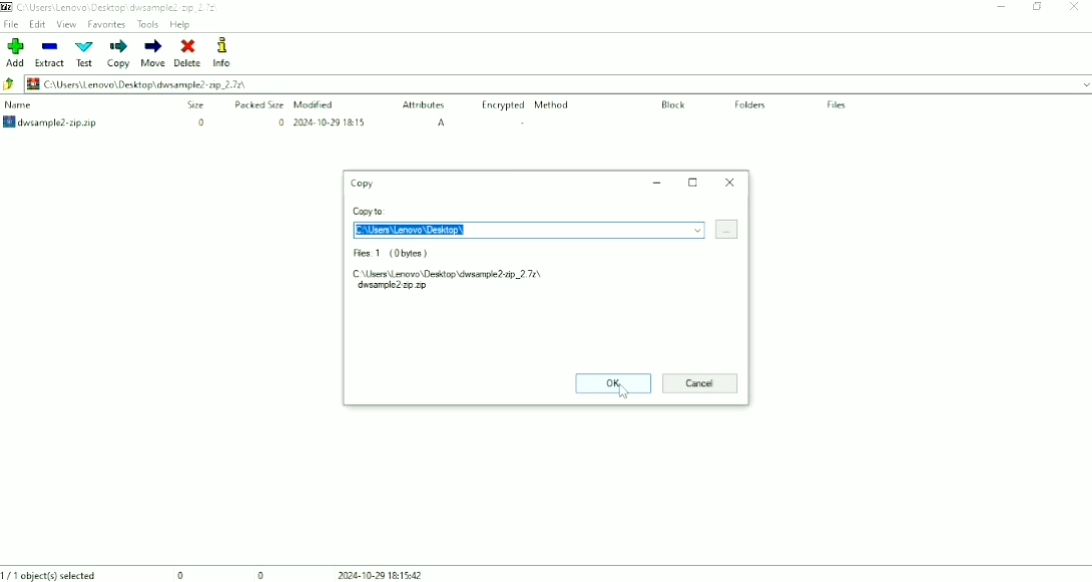 The height and width of the screenshot is (582, 1092). Describe the element at coordinates (657, 182) in the screenshot. I see `Minimize` at that location.